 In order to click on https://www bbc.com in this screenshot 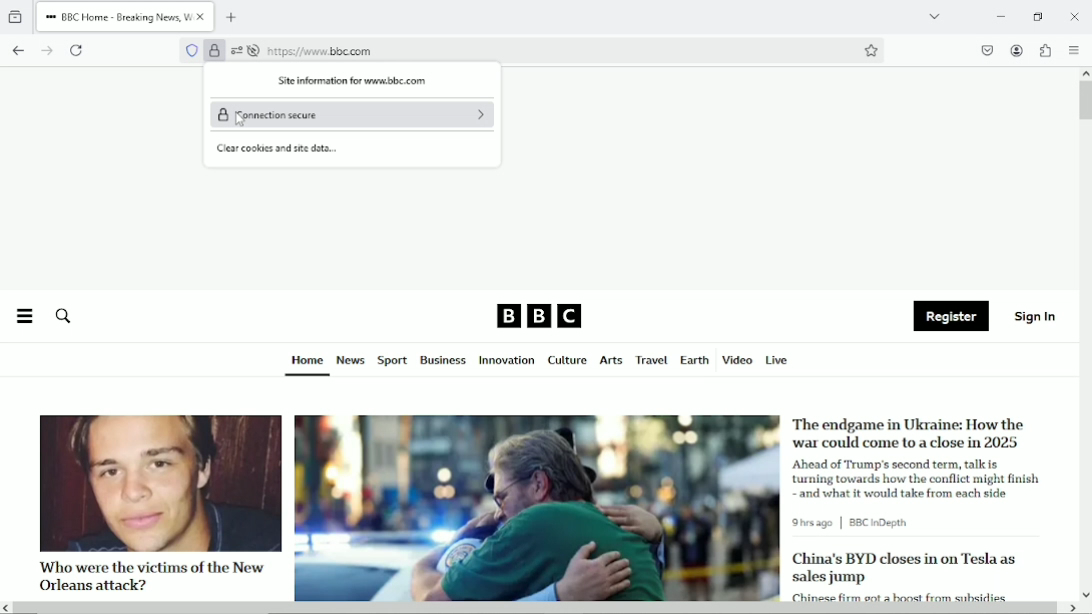, I will do `click(321, 51)`.